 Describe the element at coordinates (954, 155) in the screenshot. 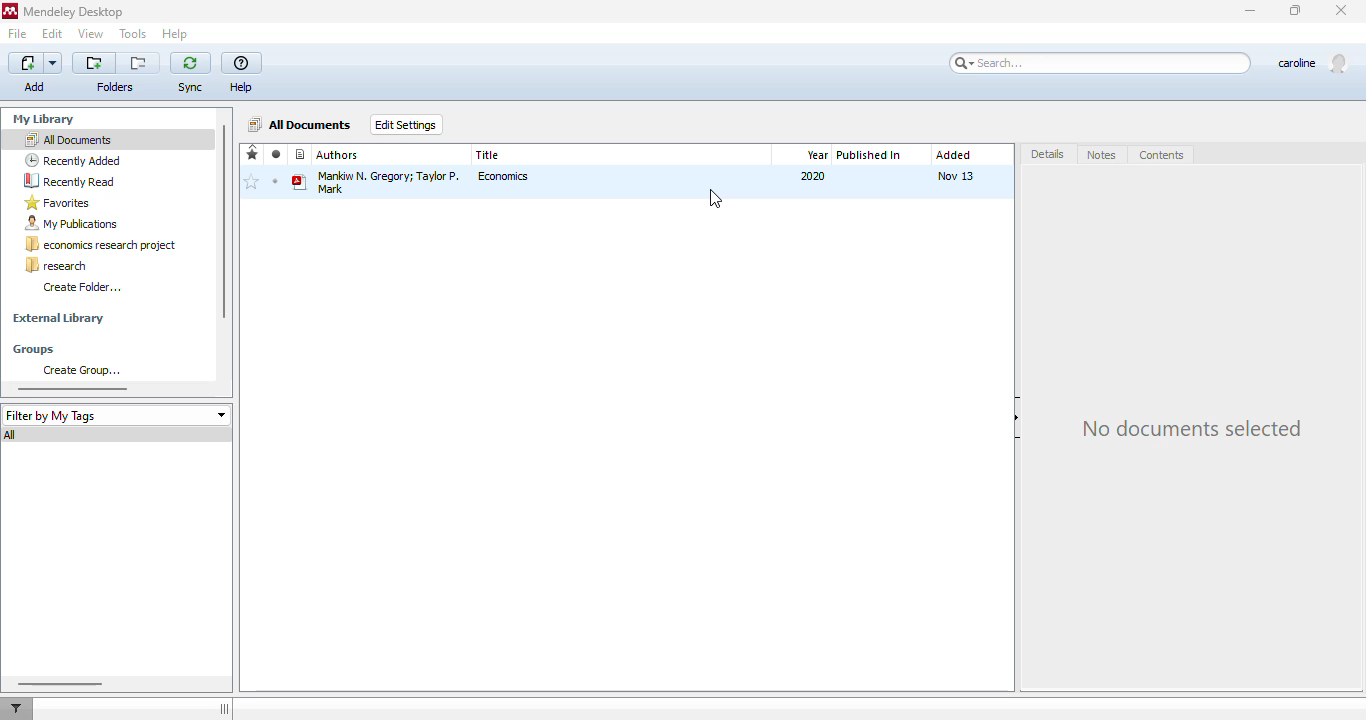

I see `added` at that location.